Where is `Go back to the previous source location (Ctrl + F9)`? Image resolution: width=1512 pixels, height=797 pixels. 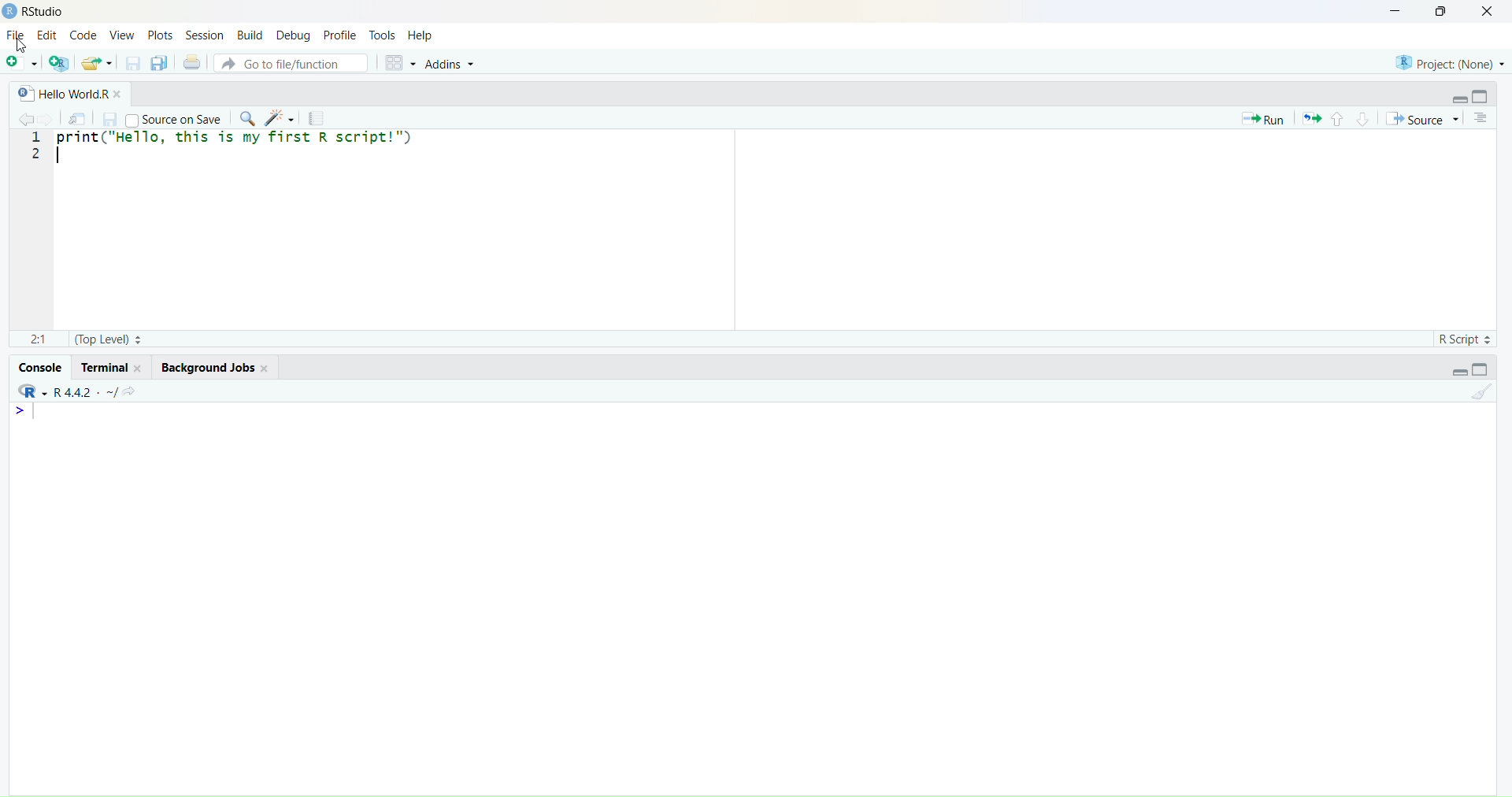
Go back to the previous source location (Ctrl + F9) is located at coordinates (24, 118).